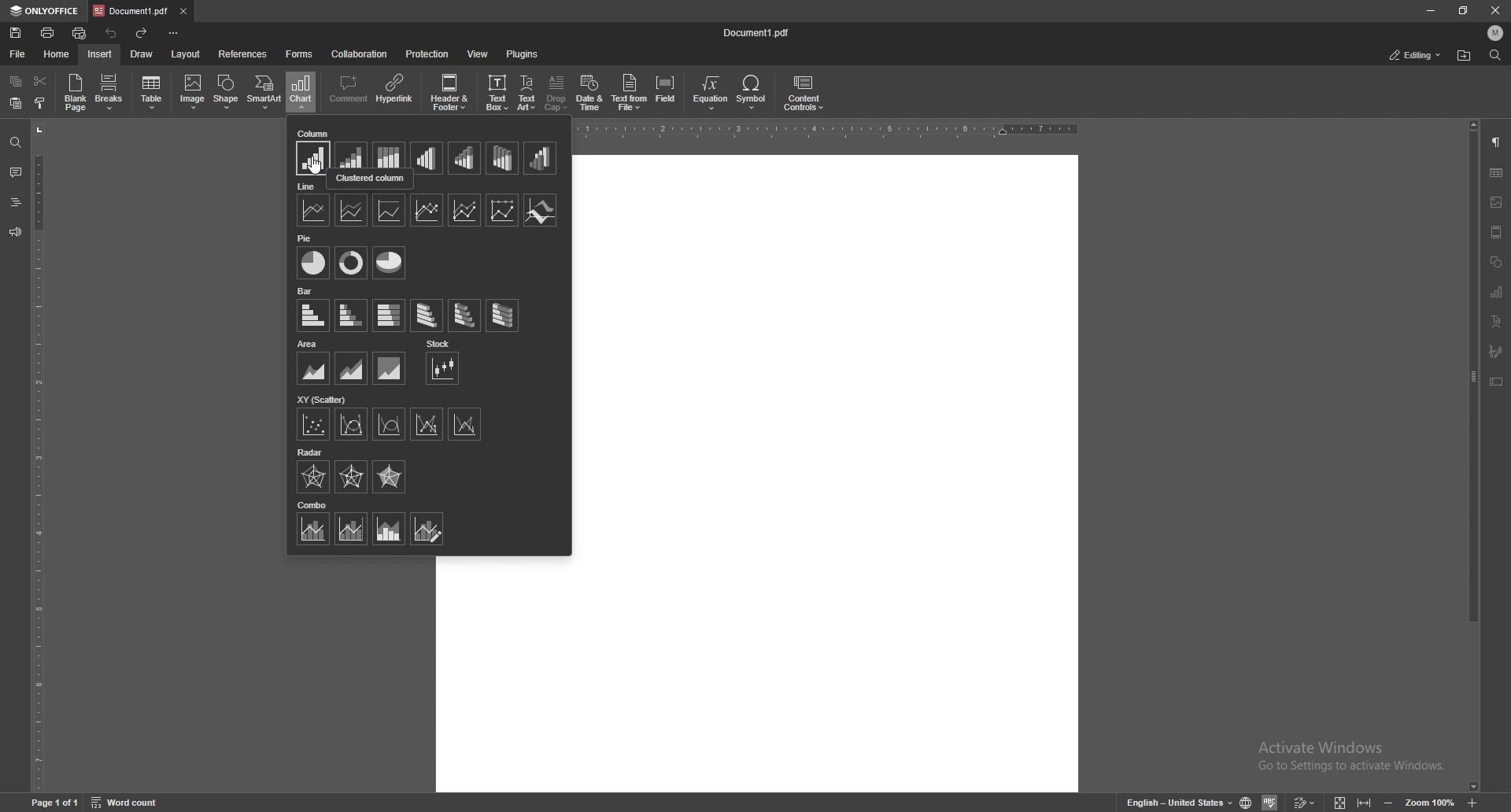  Describe the element at coordinates (1498, 292) in the screenshot. I see `chart` at that location.